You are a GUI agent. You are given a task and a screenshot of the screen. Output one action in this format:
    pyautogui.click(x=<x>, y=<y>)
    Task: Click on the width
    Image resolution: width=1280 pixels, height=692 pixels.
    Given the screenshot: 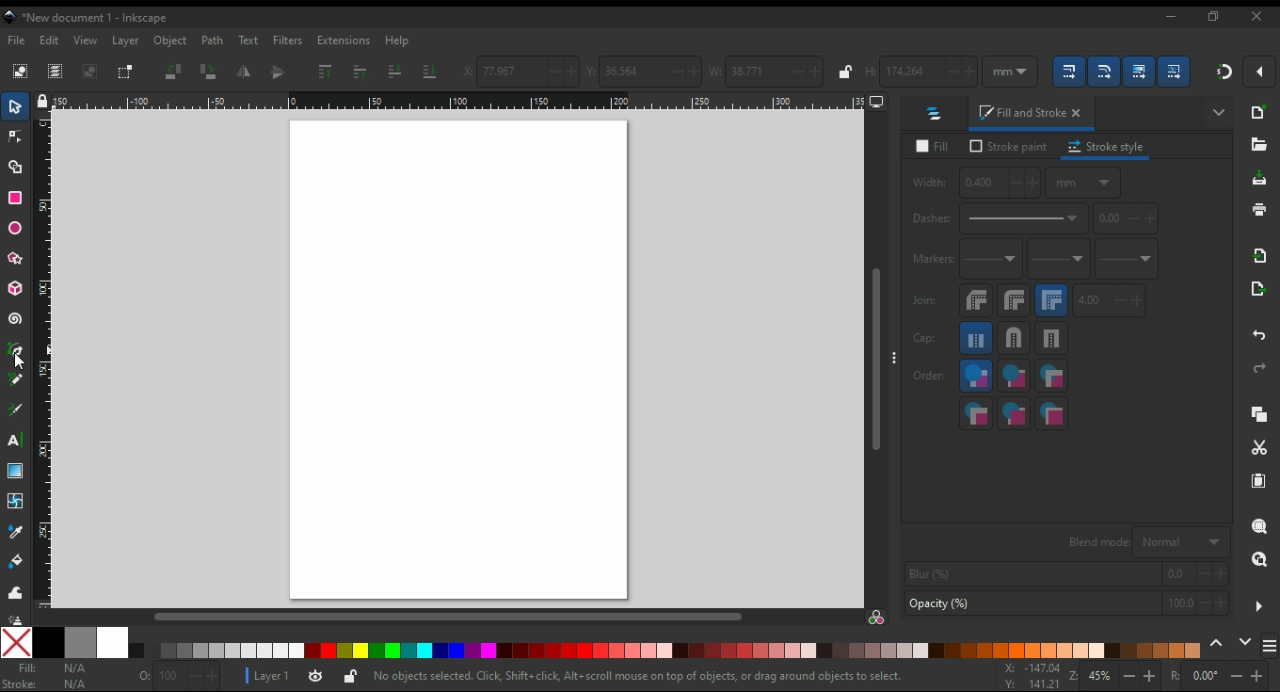 What is the action you would take?
    pyautogui.click(x=976, y=181)
    